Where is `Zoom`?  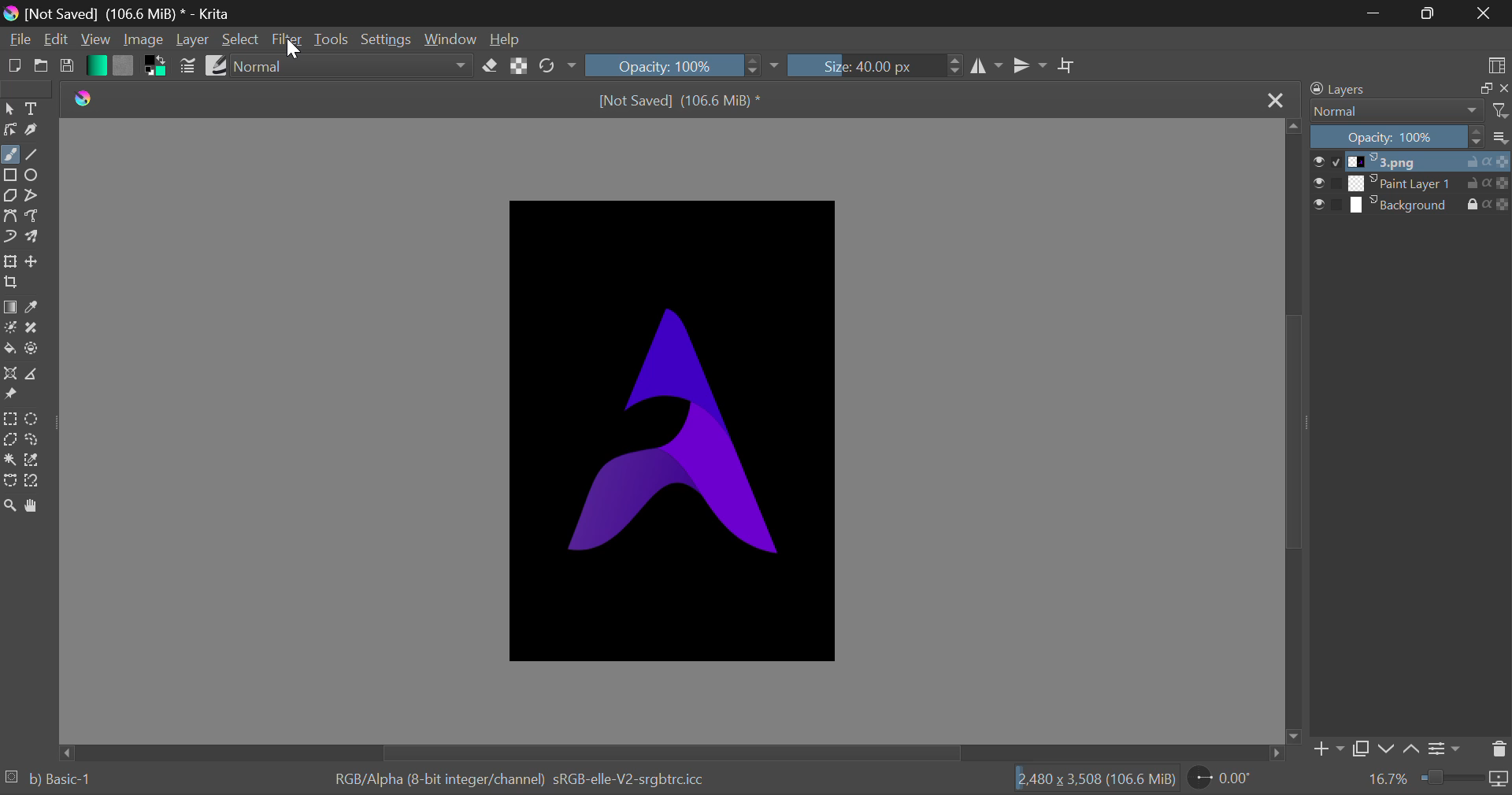
Zoom is located at coordinates (10, 505).